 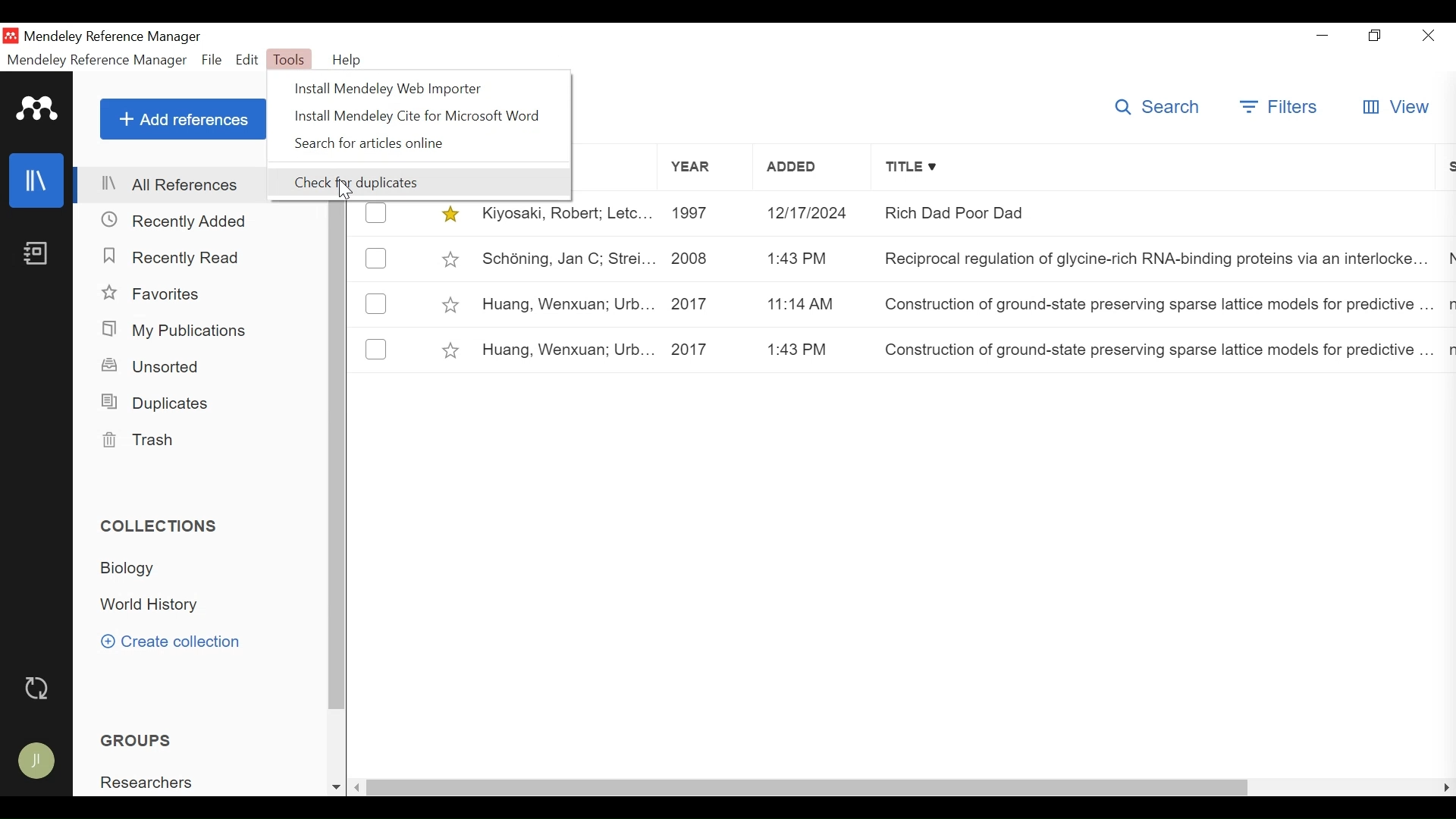 What do you see at coordinates (151, 366) in the screenshot?
I see `Unsorted` at bounding box center [151, 366].